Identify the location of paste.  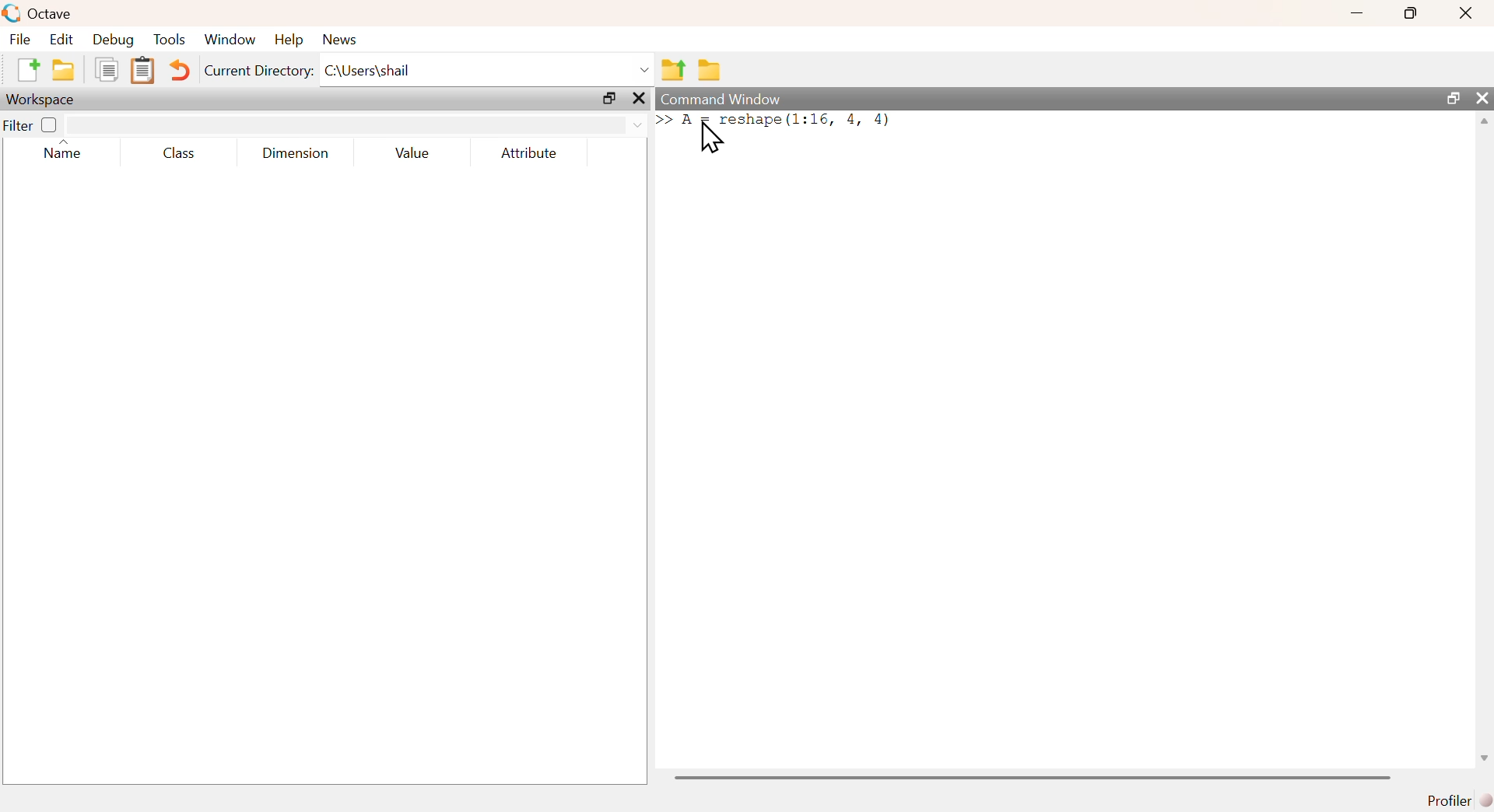
(142, 72).